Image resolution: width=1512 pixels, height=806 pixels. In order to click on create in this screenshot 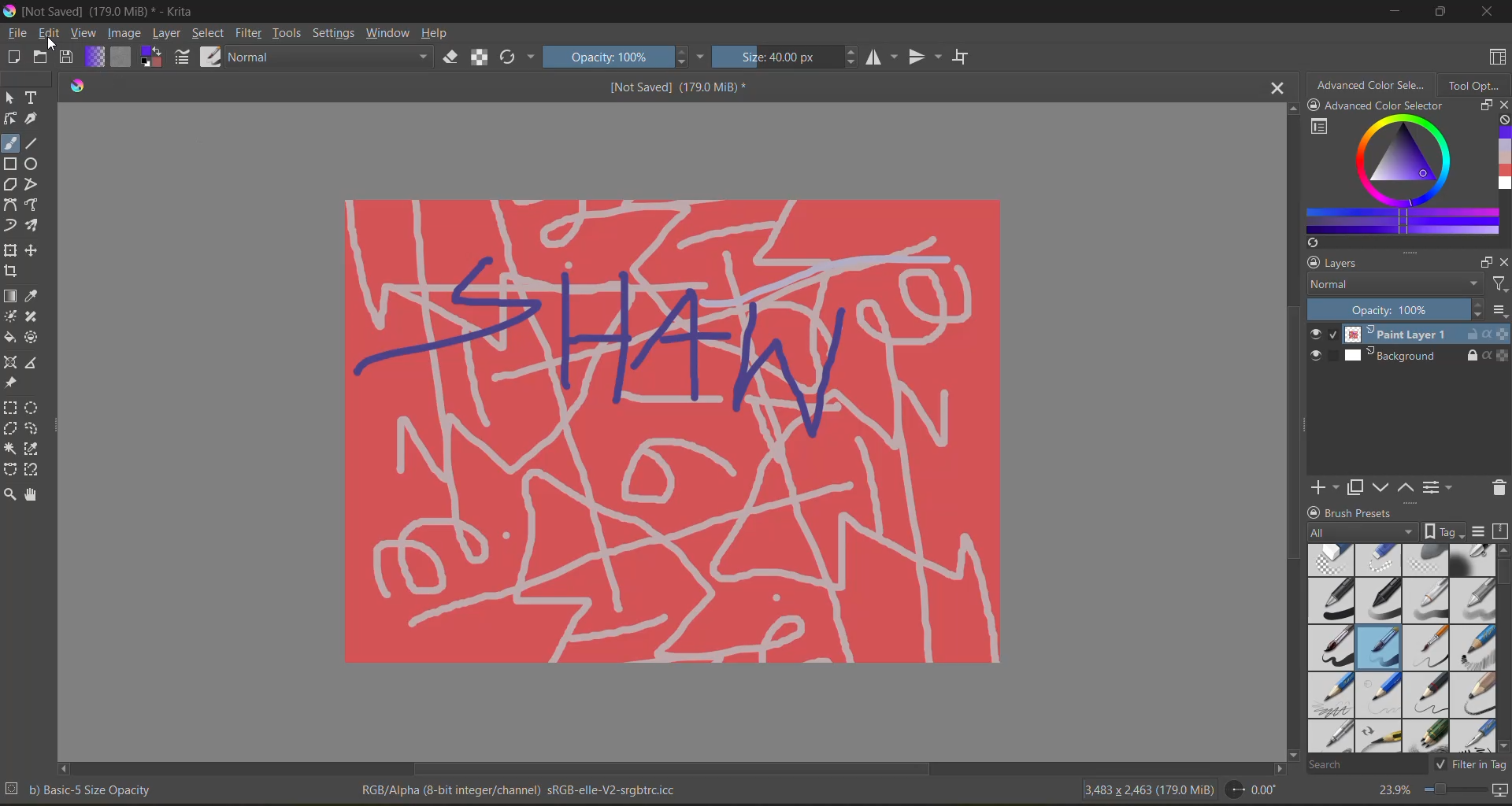, I will do `click(13, 56)`.